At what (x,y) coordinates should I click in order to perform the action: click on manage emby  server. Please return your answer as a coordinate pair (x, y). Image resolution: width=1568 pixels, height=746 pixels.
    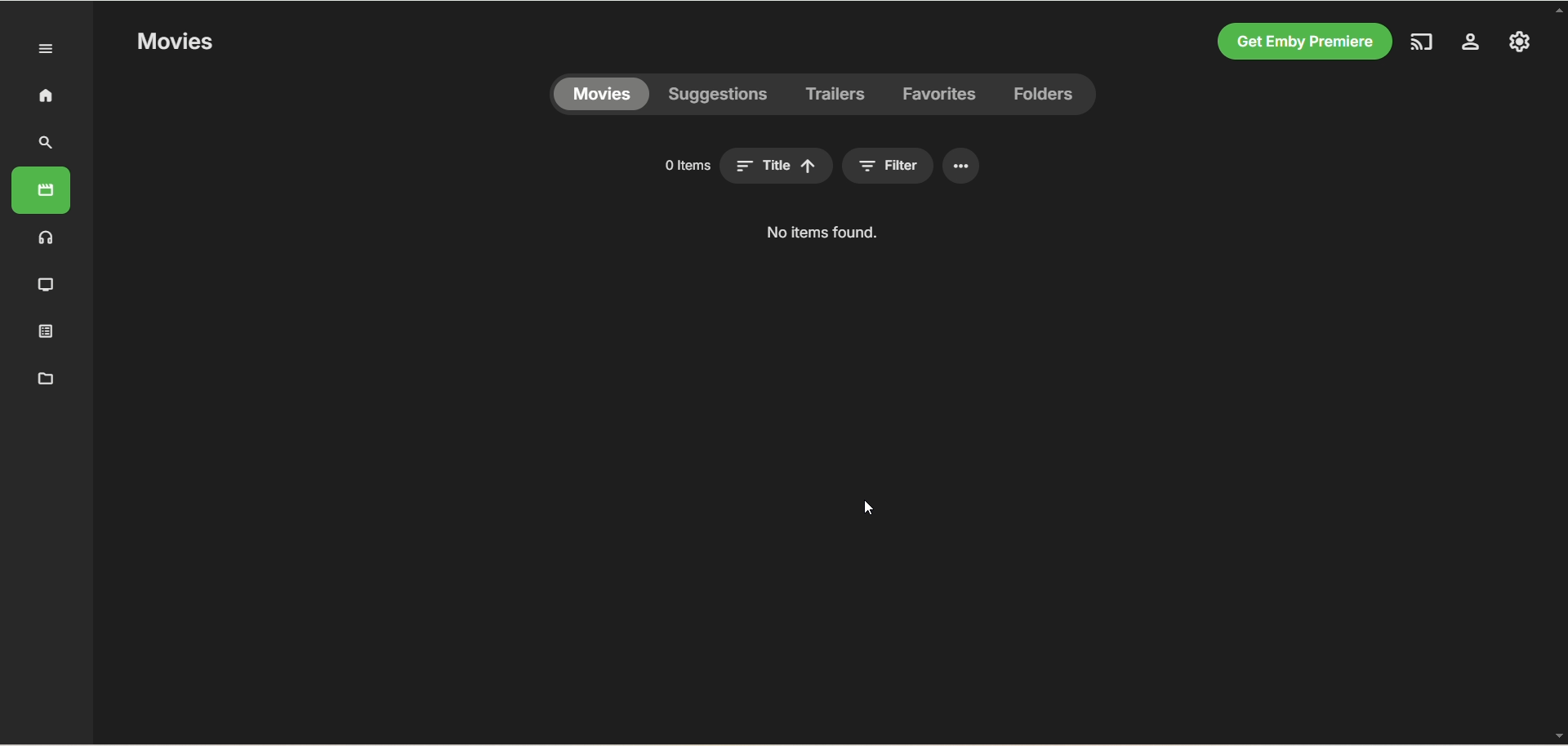
    Looking at the image, I should click on (1520, 41).